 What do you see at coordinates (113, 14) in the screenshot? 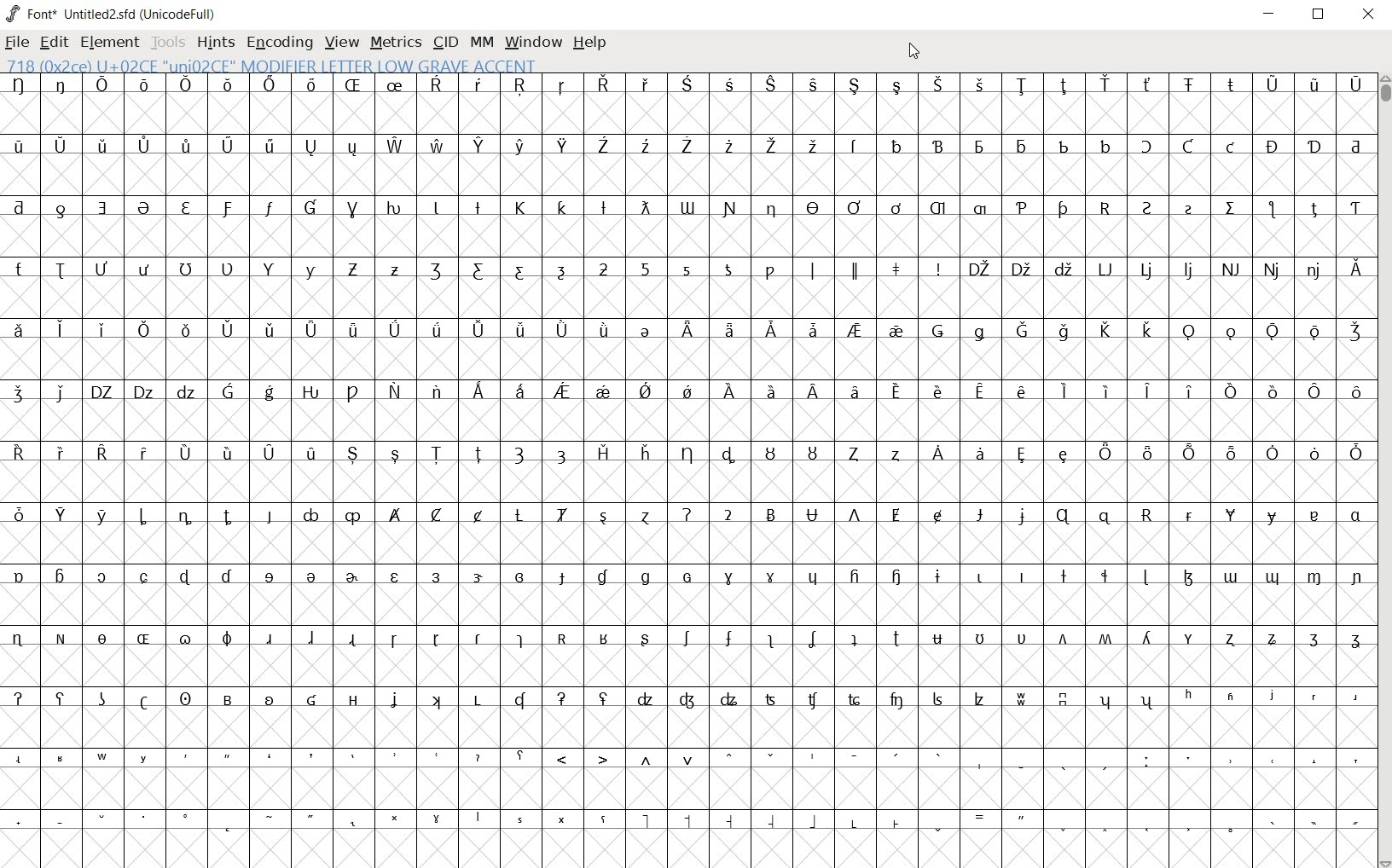
I see `Font* Untitled2.sfd (UnicodeFull)` at bounding box center [113, 14].